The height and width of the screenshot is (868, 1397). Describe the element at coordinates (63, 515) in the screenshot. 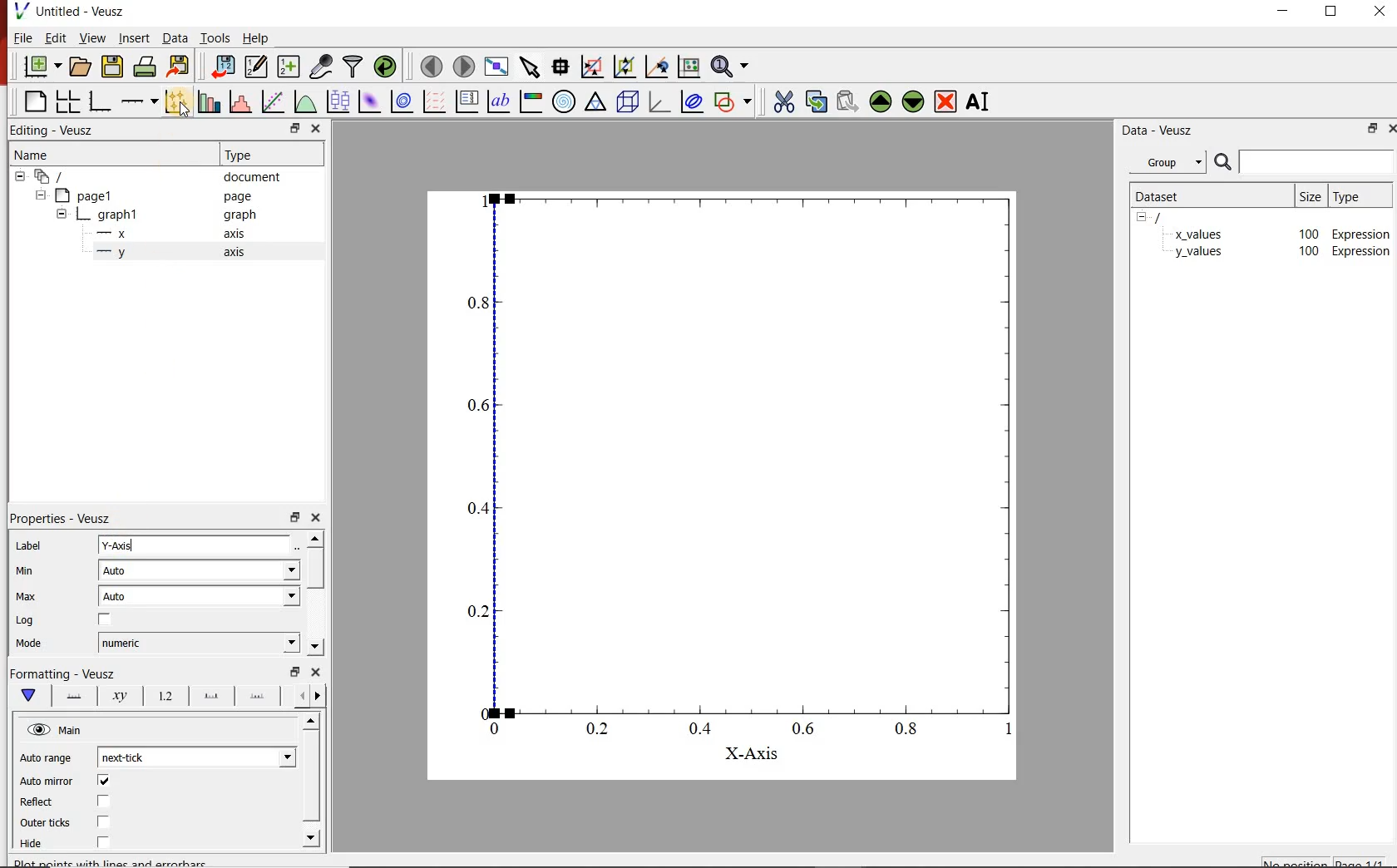

I see `| Properties - Veusz` at that location.